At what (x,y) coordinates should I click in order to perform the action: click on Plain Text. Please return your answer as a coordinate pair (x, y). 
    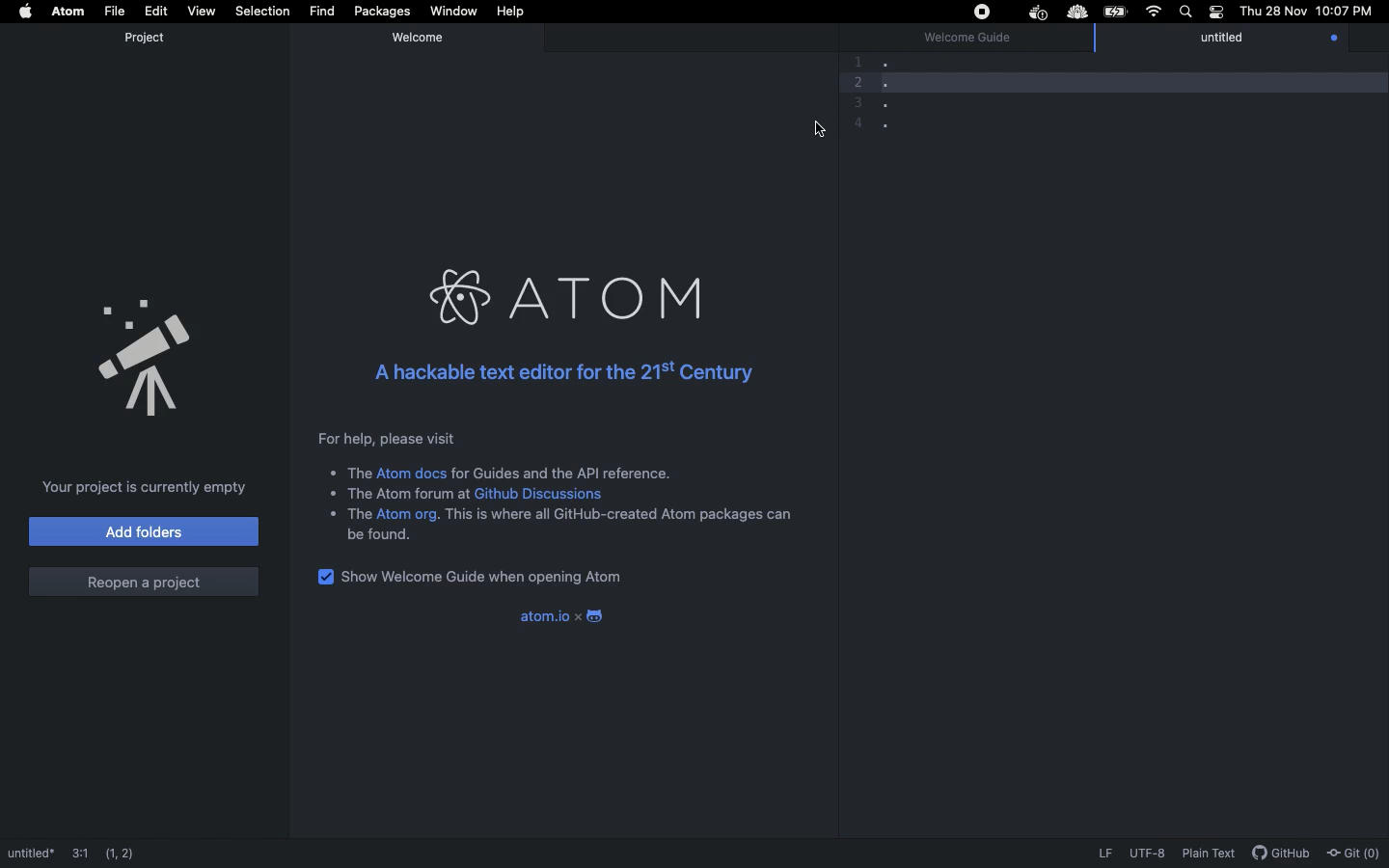
    Looking at the image, I should click on (1208, 854).